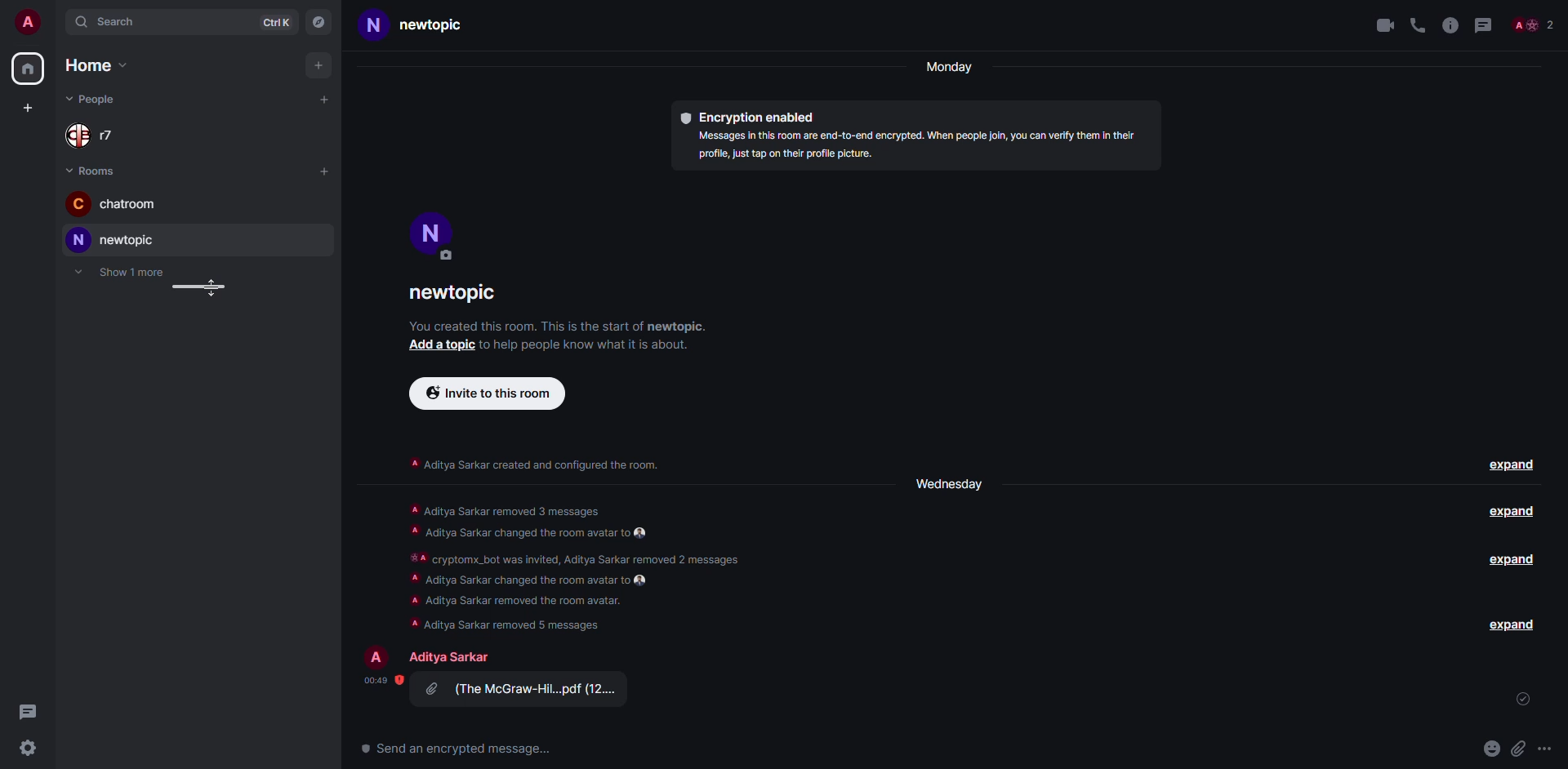 This screenshot has height=769, width=1568. What do you see at coordinates (1524, 701) in the screenshot?
I see `set` at bounding box center [1524, 701].